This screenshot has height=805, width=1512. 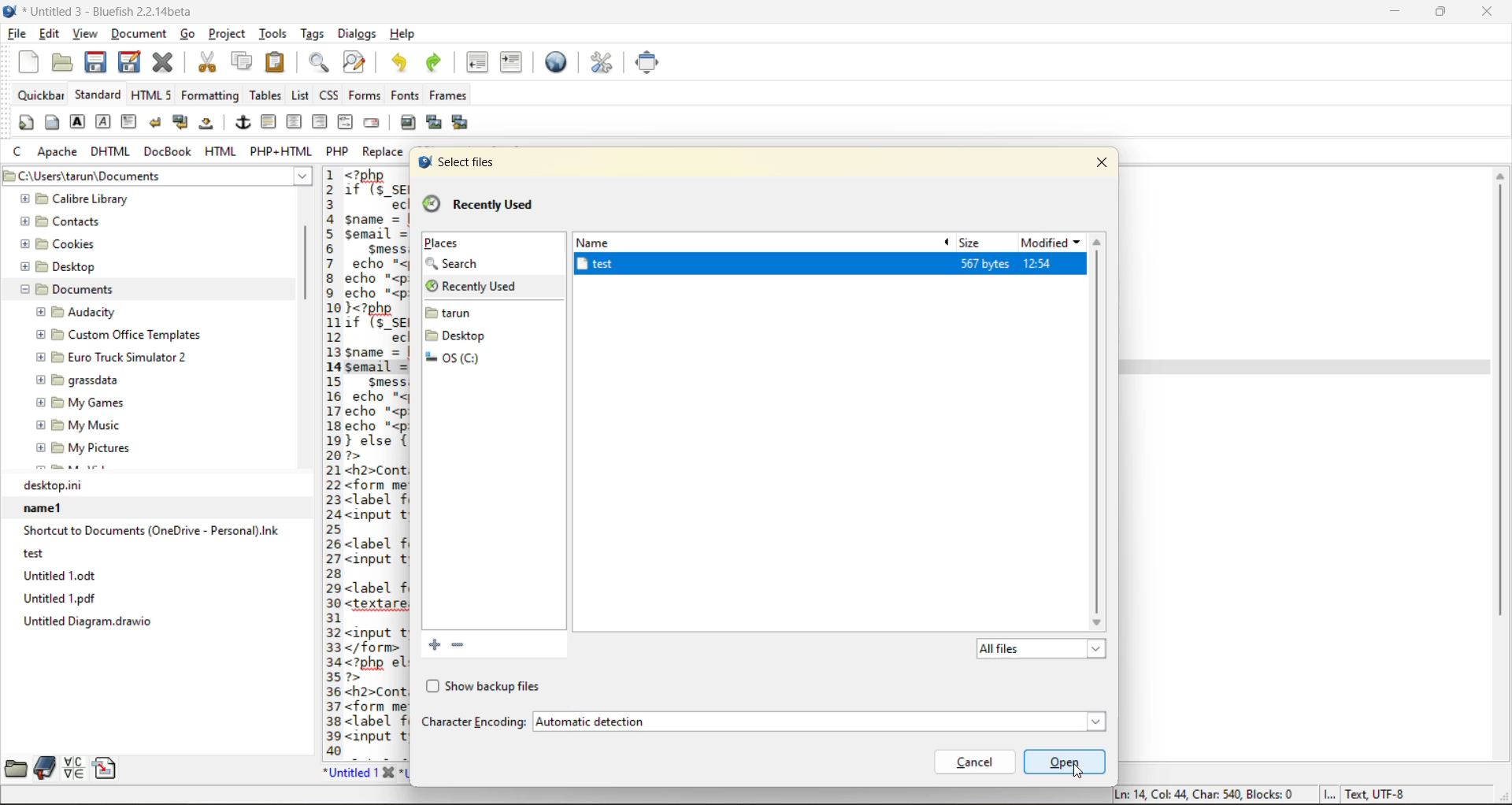 What do you see at coordinates (157, 575) in the screenshot?
I see `Untitled 1.odt` at bounding box center [157, 575].